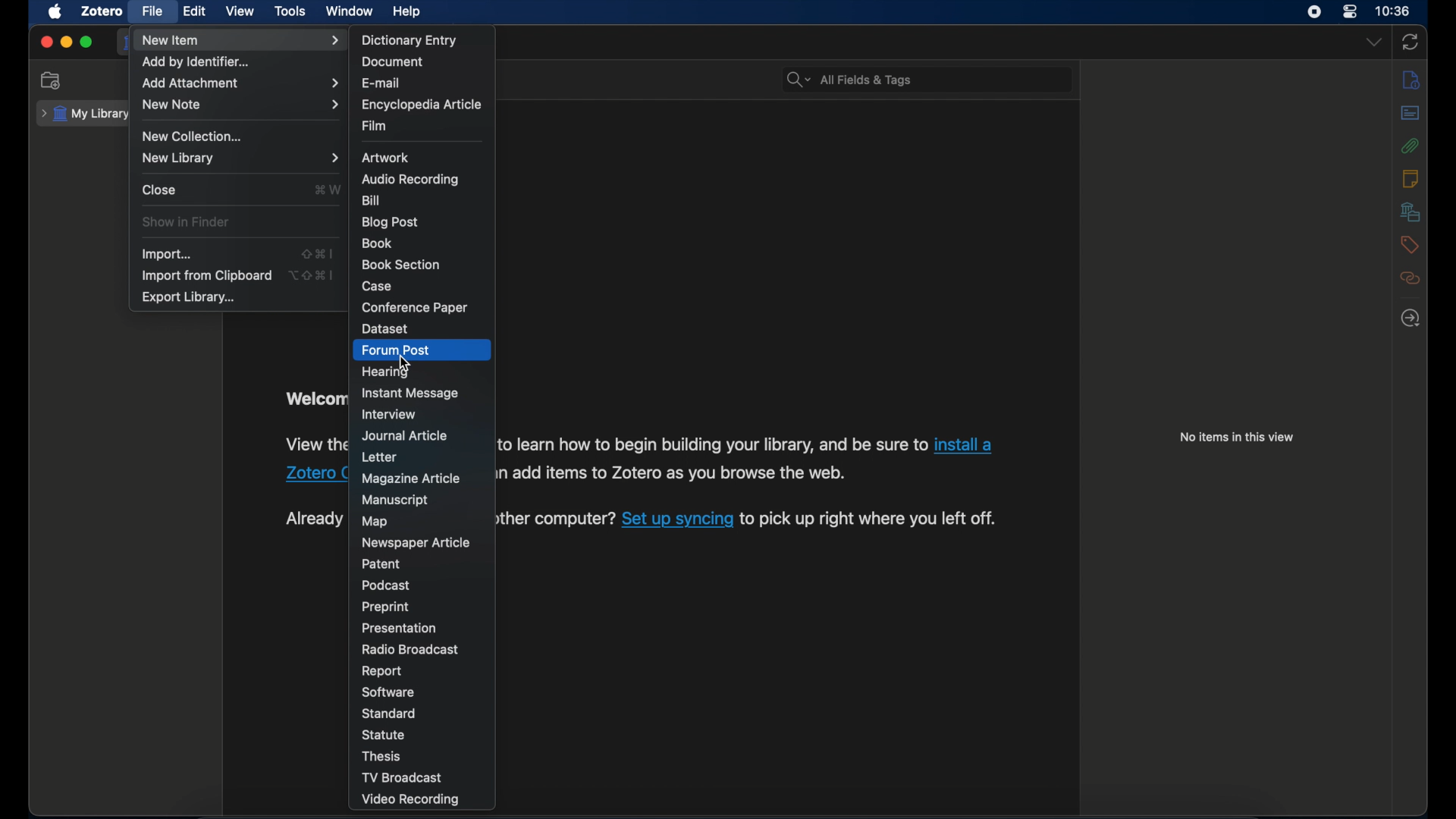  What do you see at coordinates (102, 11) in the screenshot?
I see `zotero` at bounding box center [102, 11].